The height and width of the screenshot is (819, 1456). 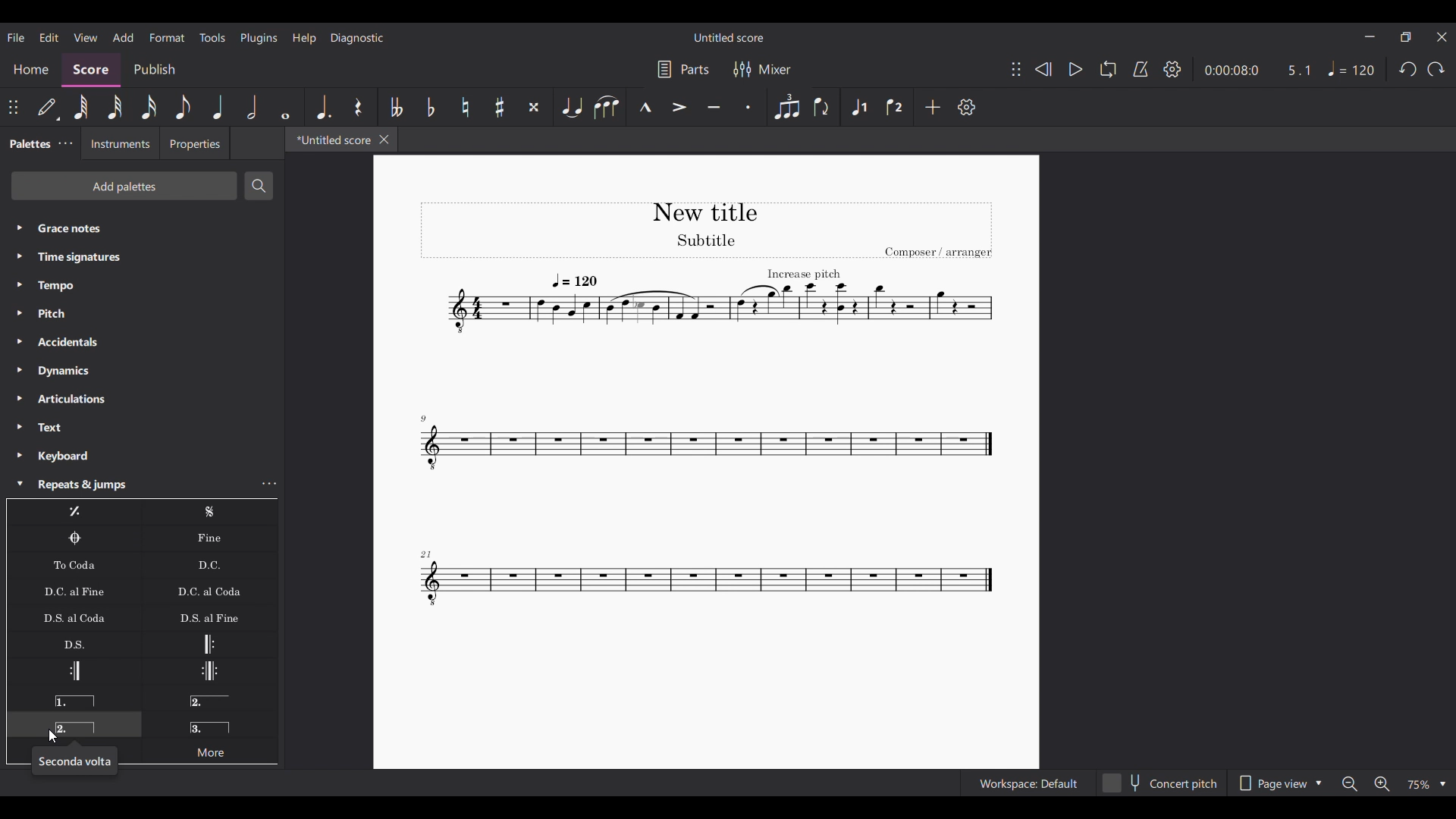 I want to click on Help menu, so click(x=305, y=39).